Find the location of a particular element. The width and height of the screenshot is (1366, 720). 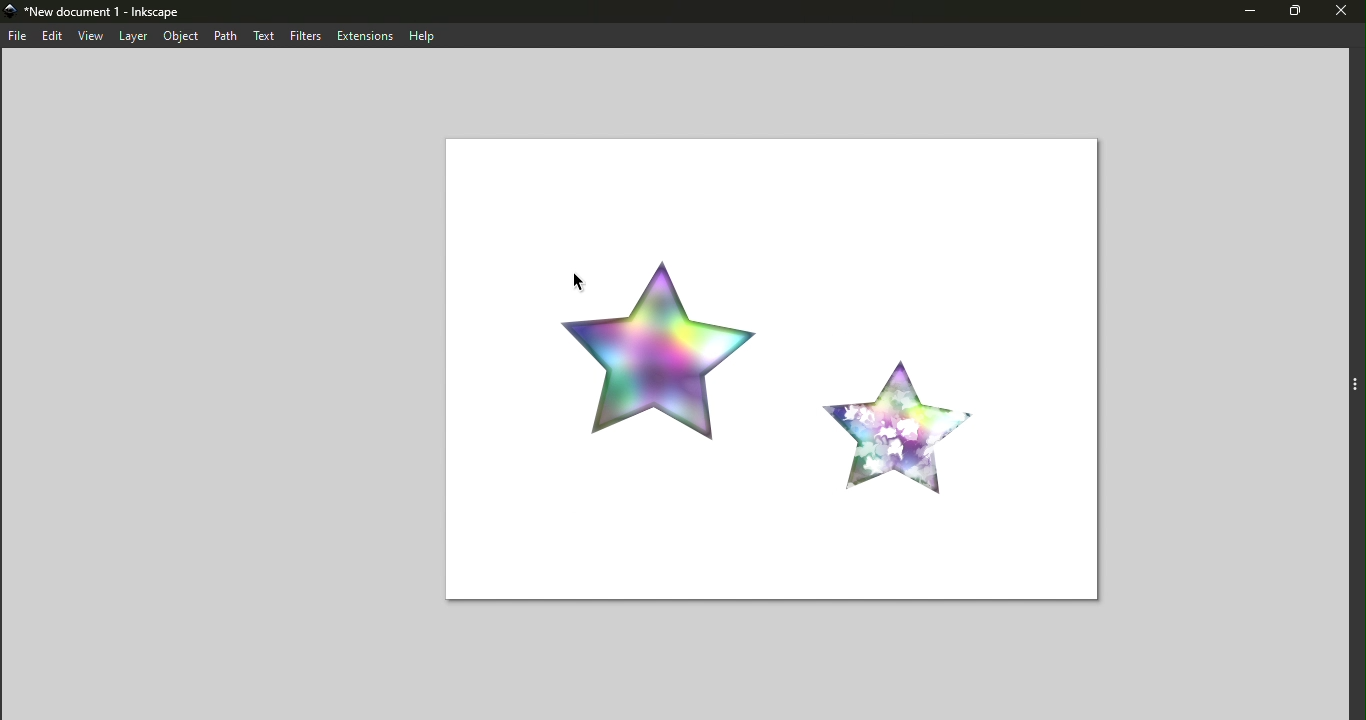

view is located at coordinates (87, 37).